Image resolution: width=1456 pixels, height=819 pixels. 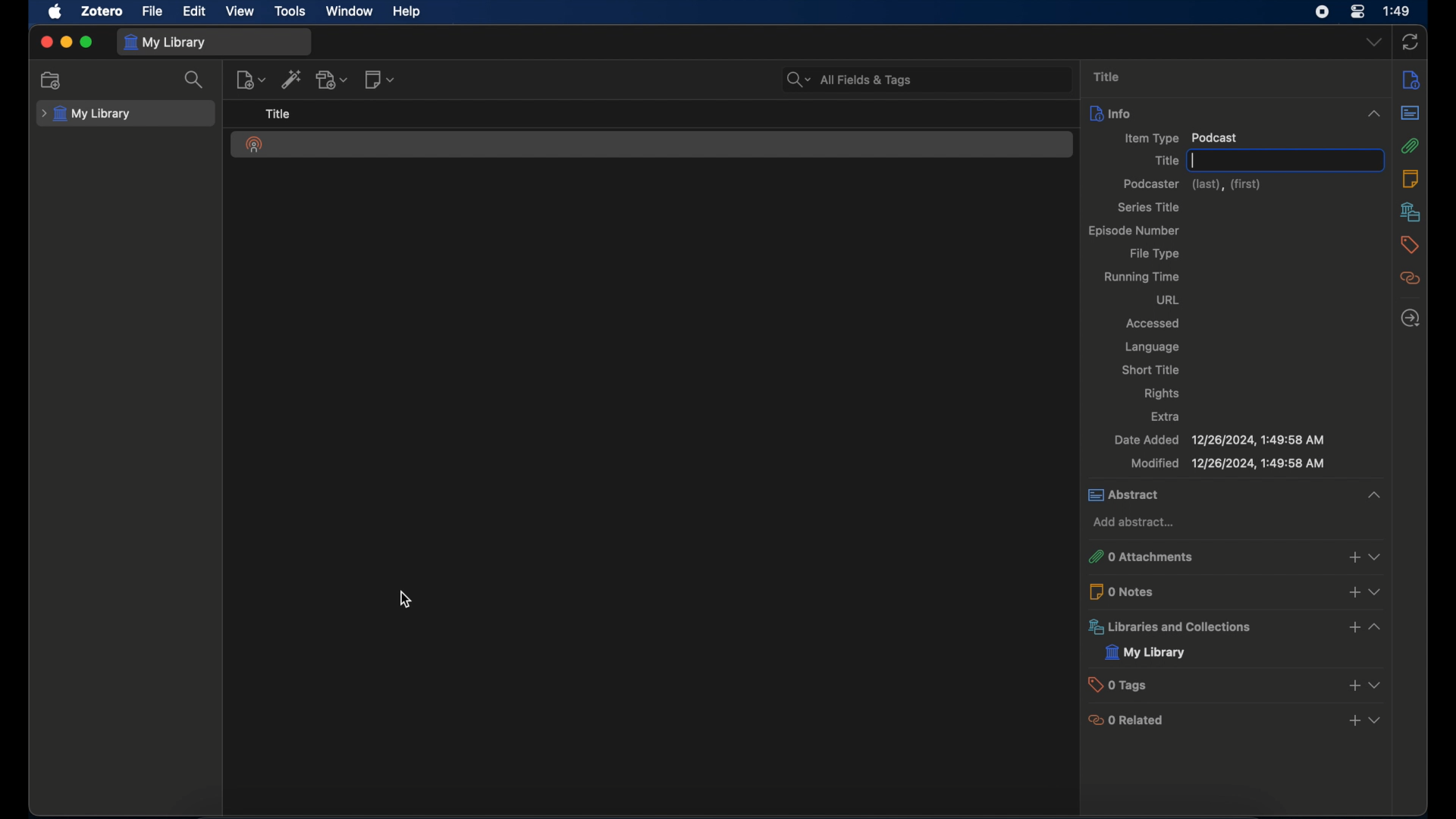 What do you see at coordinates (1410, 42) in the screenshot?
I see `sync` at bounding box center [1410, 42].